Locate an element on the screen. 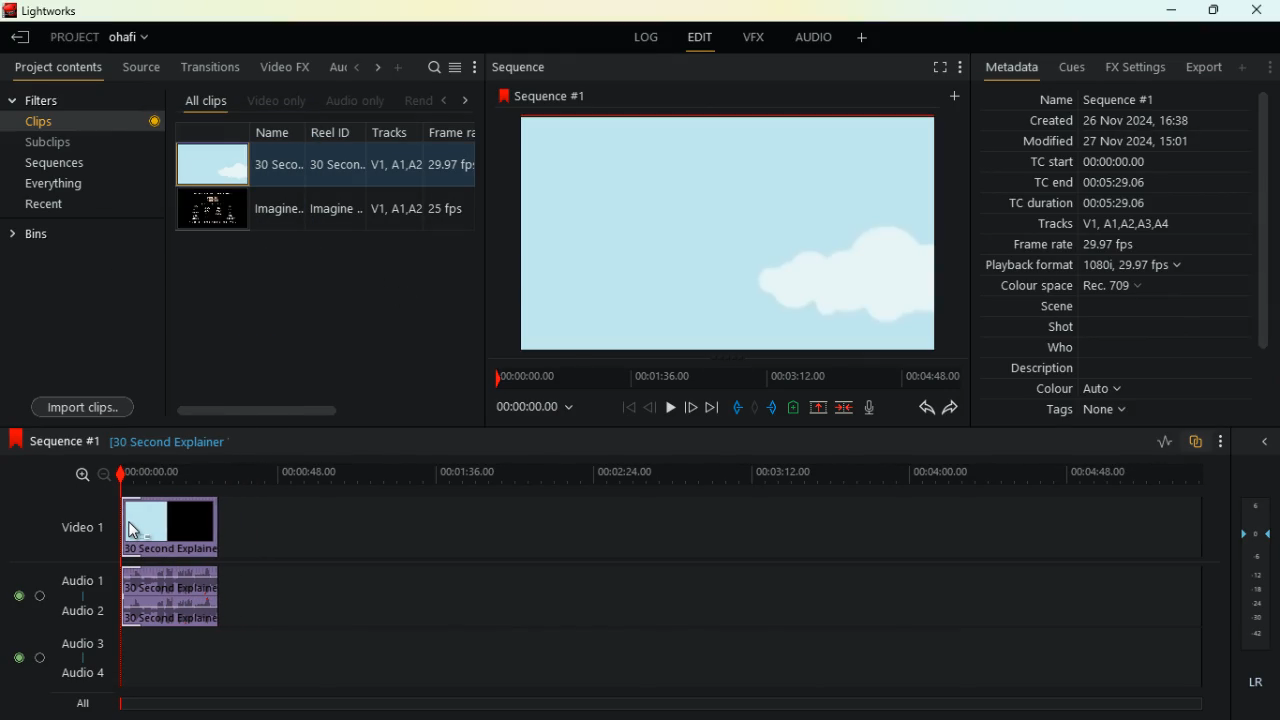 Image resolution: width=1280 pixels, height=720 pixels. log is located at coordinates (641, 38).